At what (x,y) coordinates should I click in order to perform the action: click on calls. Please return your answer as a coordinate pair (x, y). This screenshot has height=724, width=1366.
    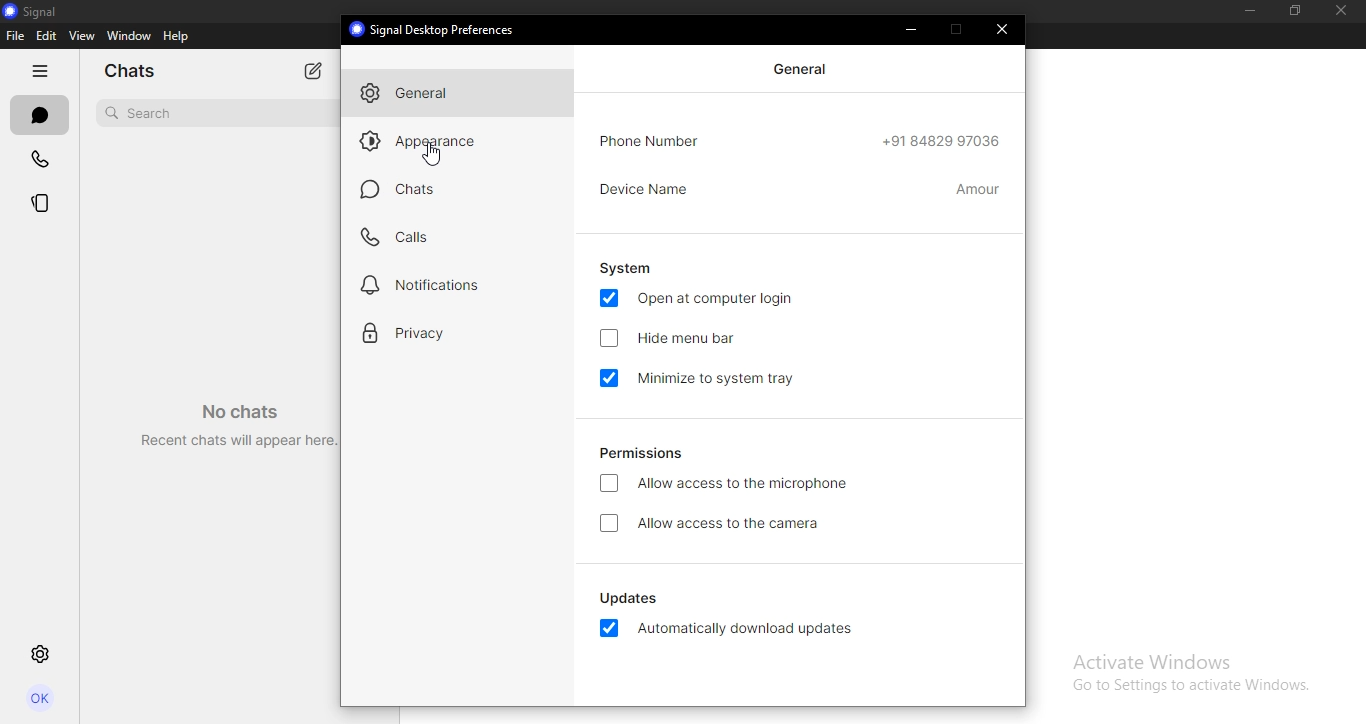
    Looking at the image, I should click on (40, 161).